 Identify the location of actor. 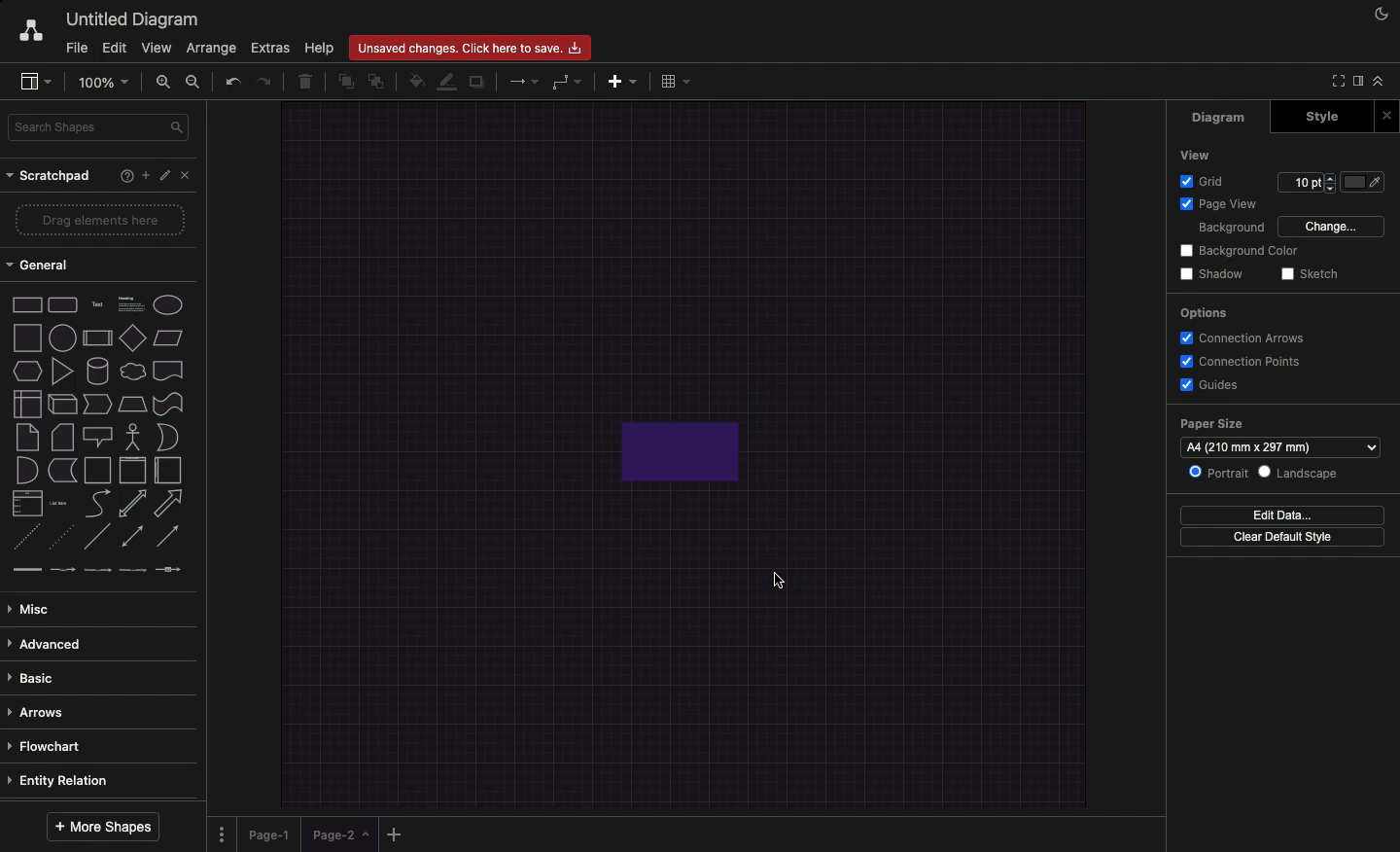
(133, 436).